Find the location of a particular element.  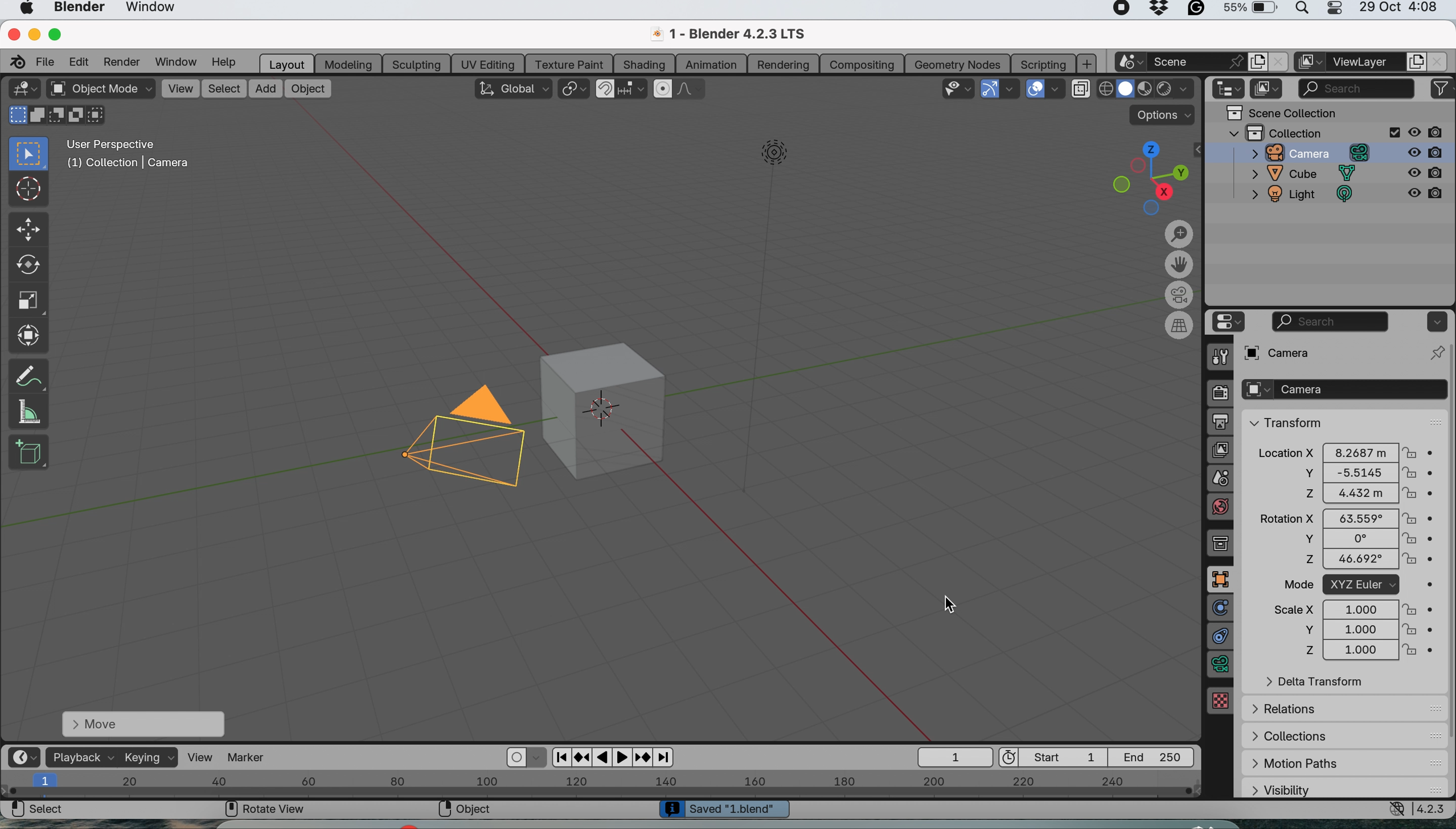

object is located at coordinates (464, 809).